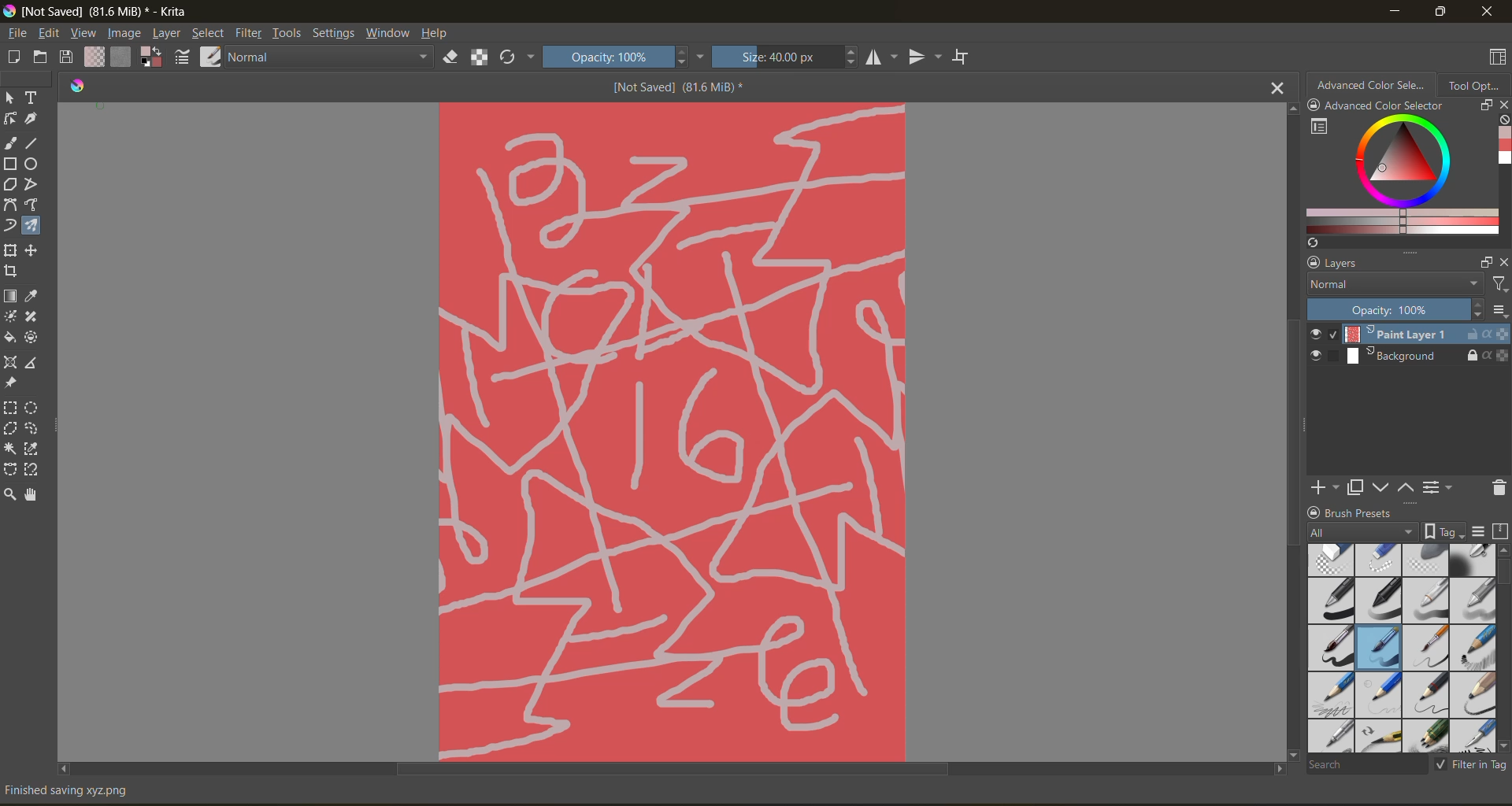  What do you see at coordinates (1503, 106) in the screenshot?
I see `close` at bounding box center [1503, 106].